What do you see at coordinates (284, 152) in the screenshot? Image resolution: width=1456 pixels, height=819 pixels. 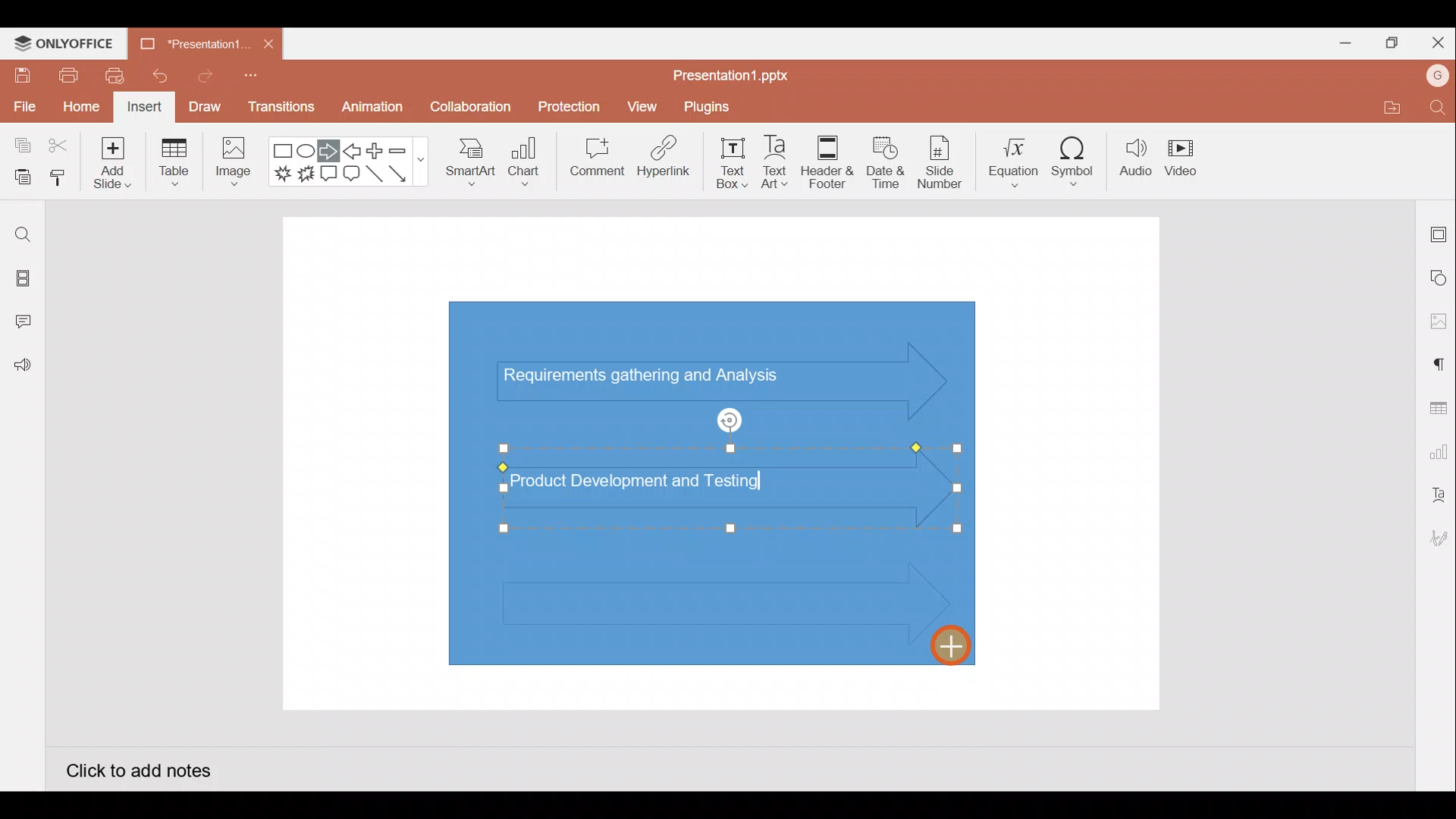 I see `Rectangle` at bounding box center [284, 152].